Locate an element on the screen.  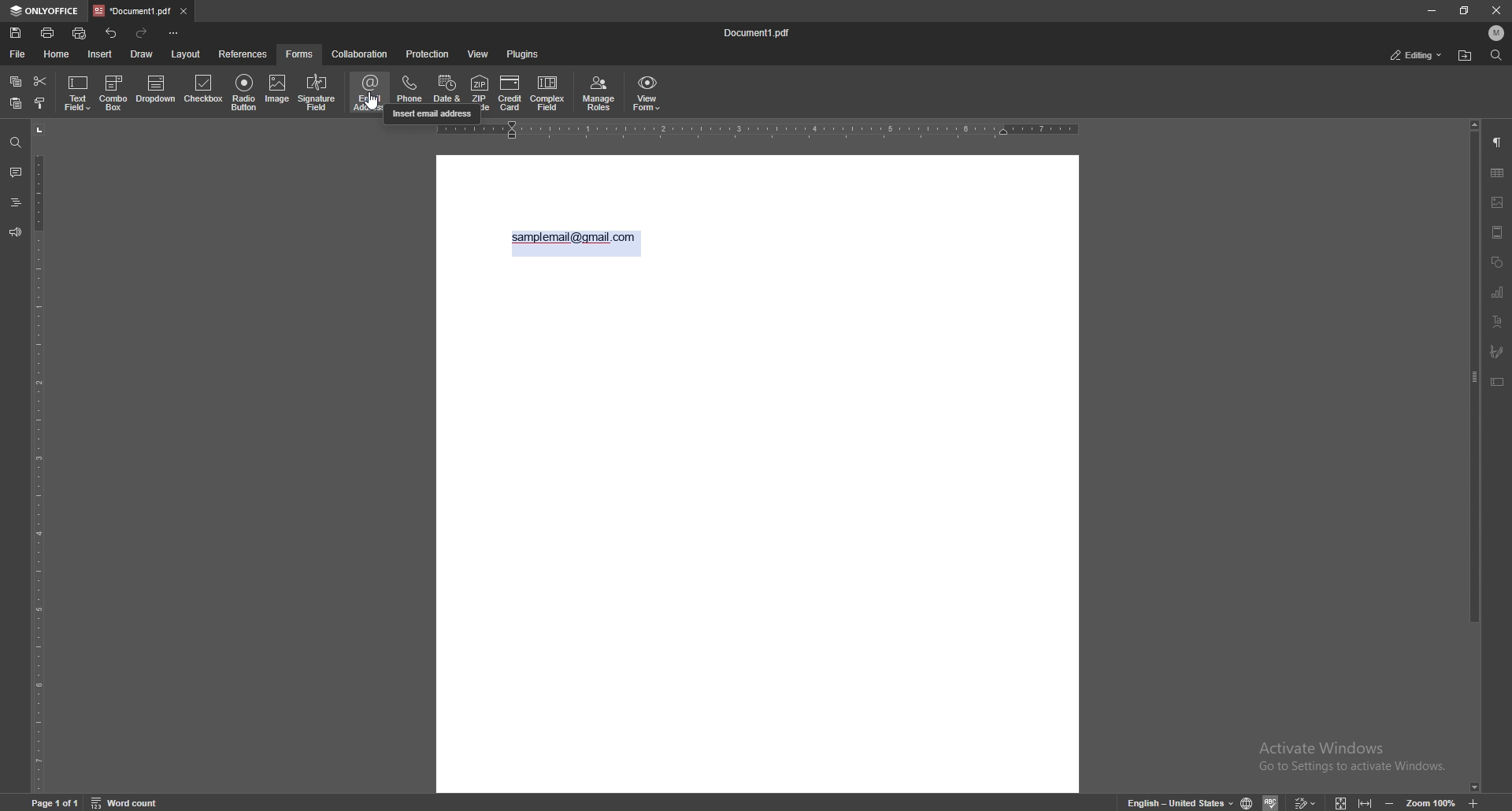
heading is located at coordinates (15, 202).